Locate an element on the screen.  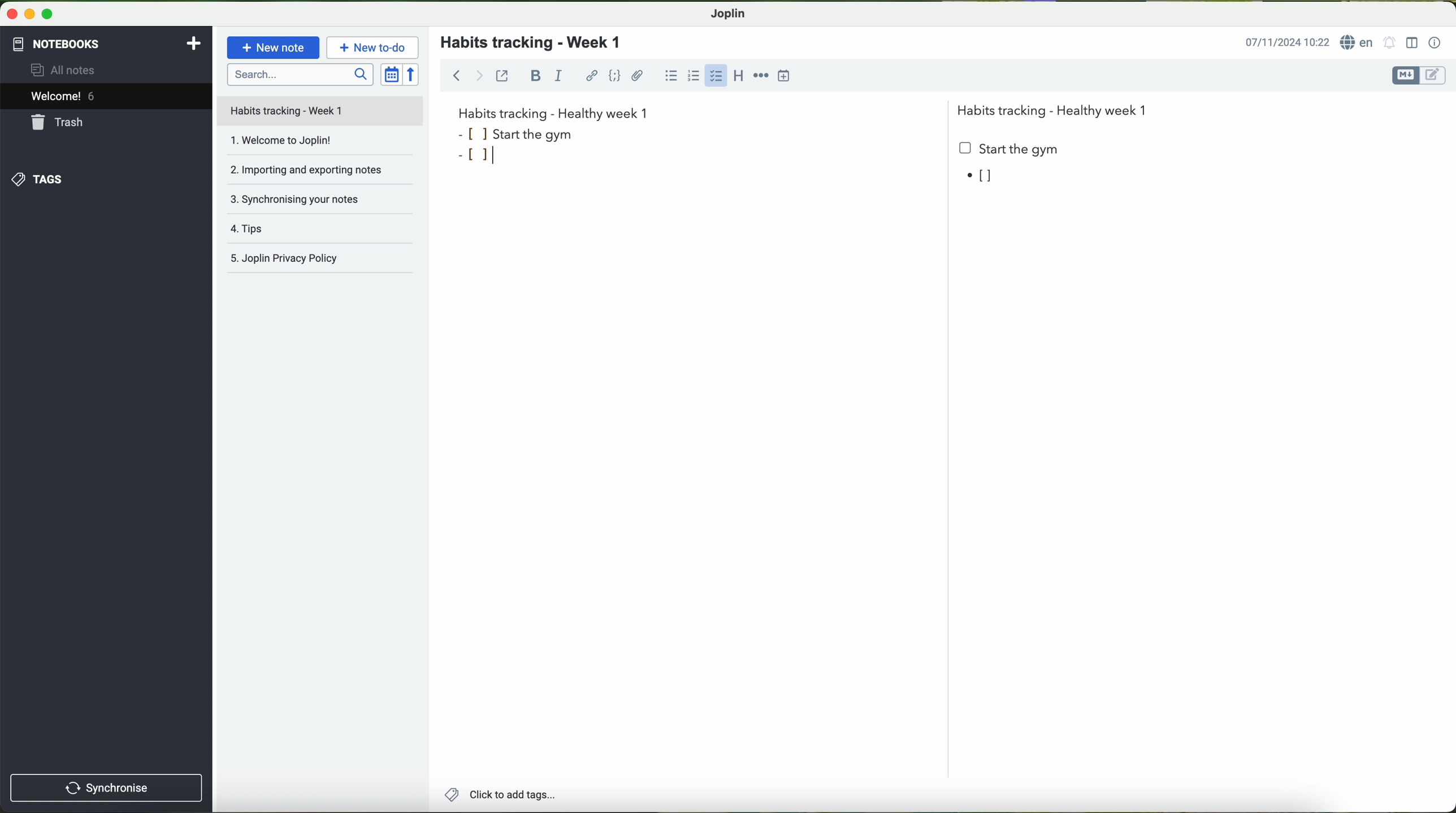
italic is located at coordinates (558, 75).